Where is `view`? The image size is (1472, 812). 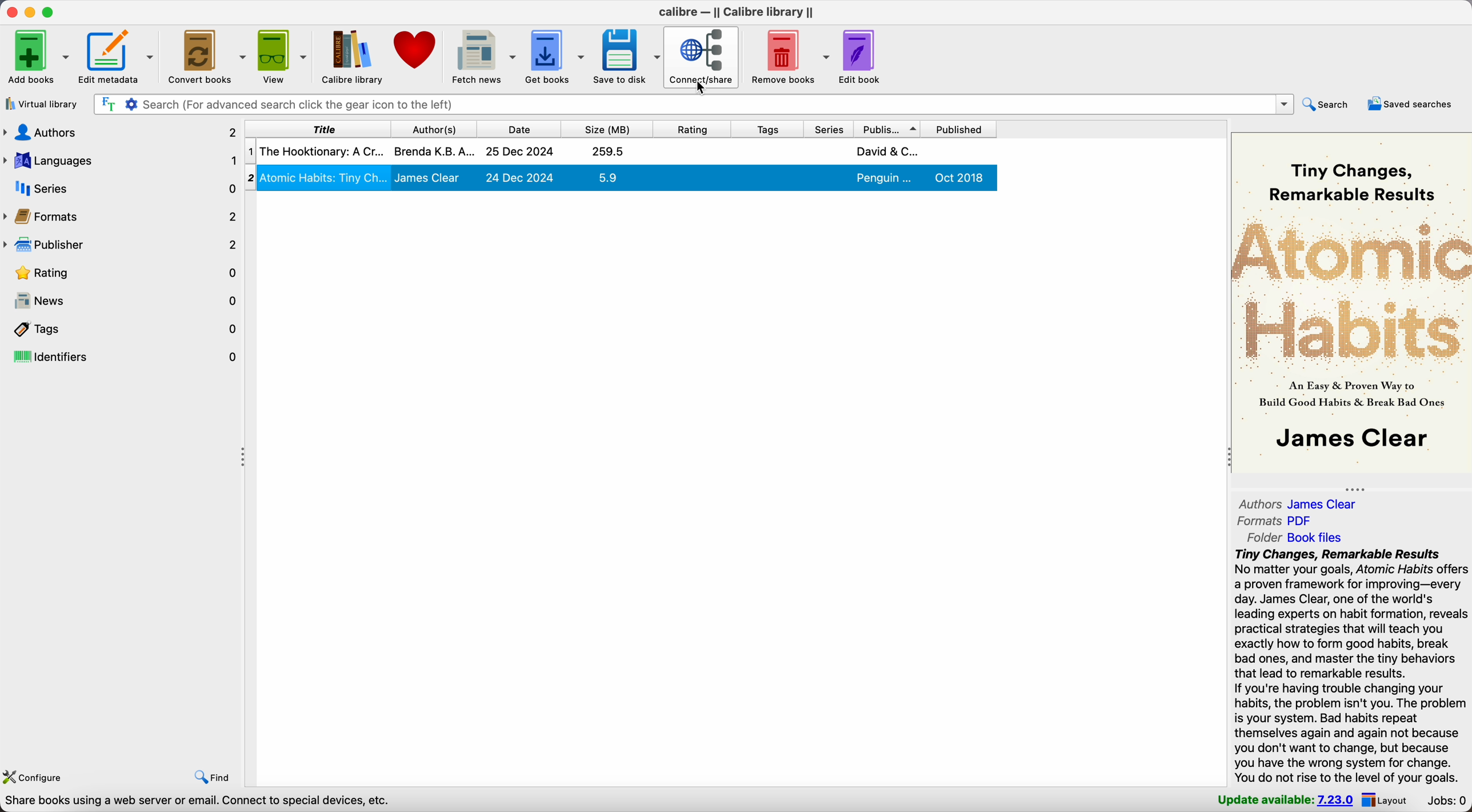
view is located at coordinates (283, 56).